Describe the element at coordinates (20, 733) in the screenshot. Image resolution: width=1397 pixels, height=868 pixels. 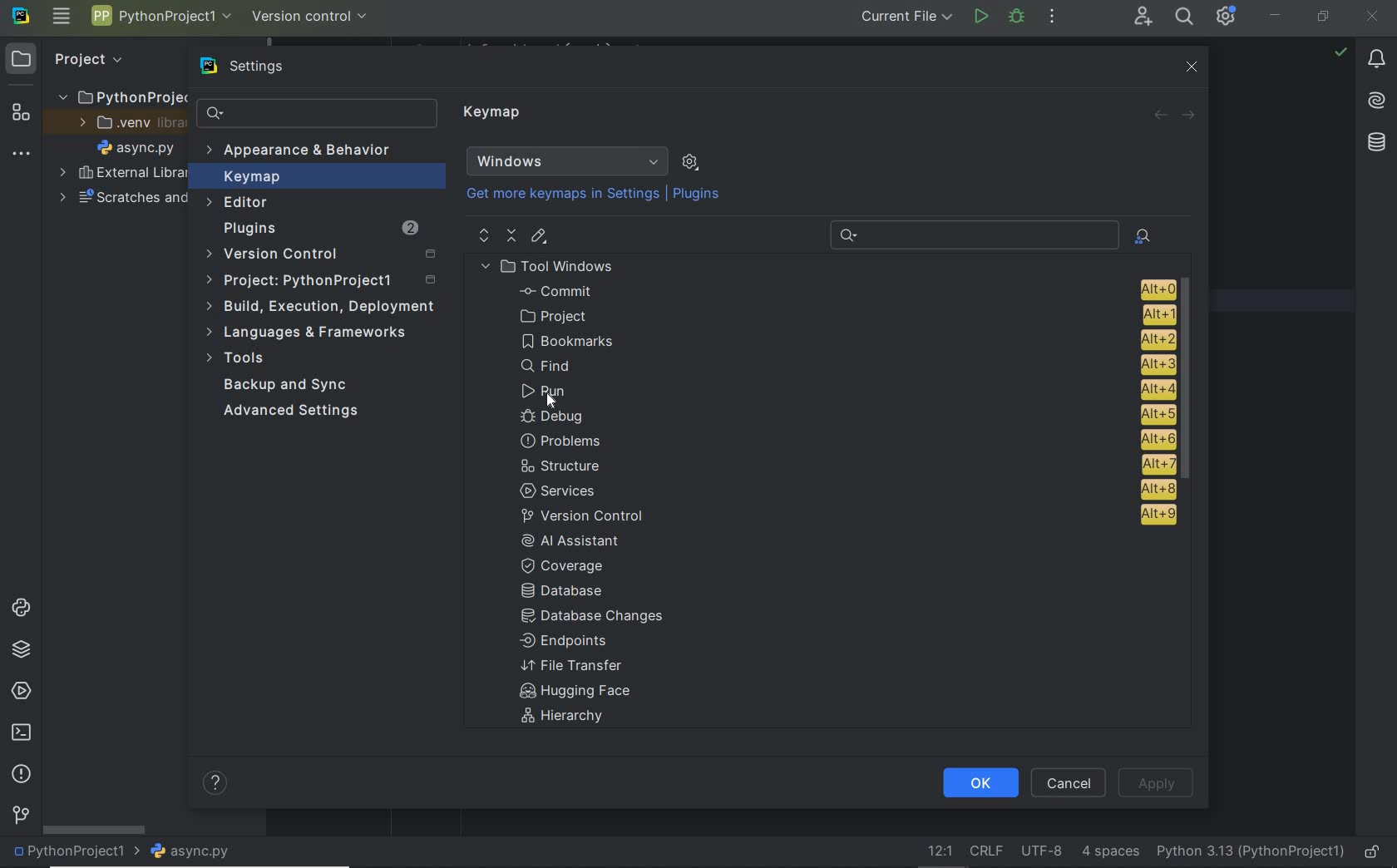
I see `terminal` at that location.